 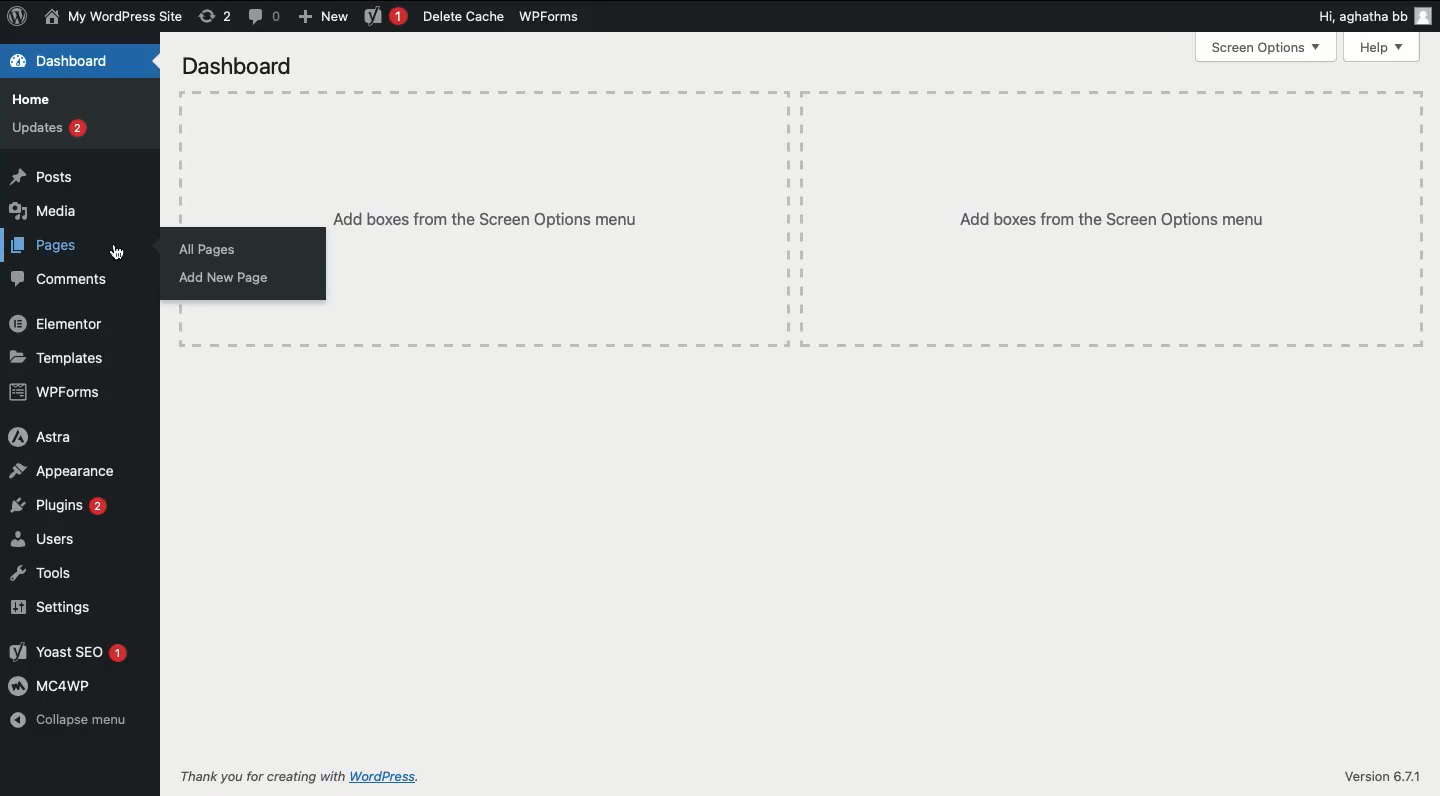 I want to click on Revision, so click(x=214, y=18).